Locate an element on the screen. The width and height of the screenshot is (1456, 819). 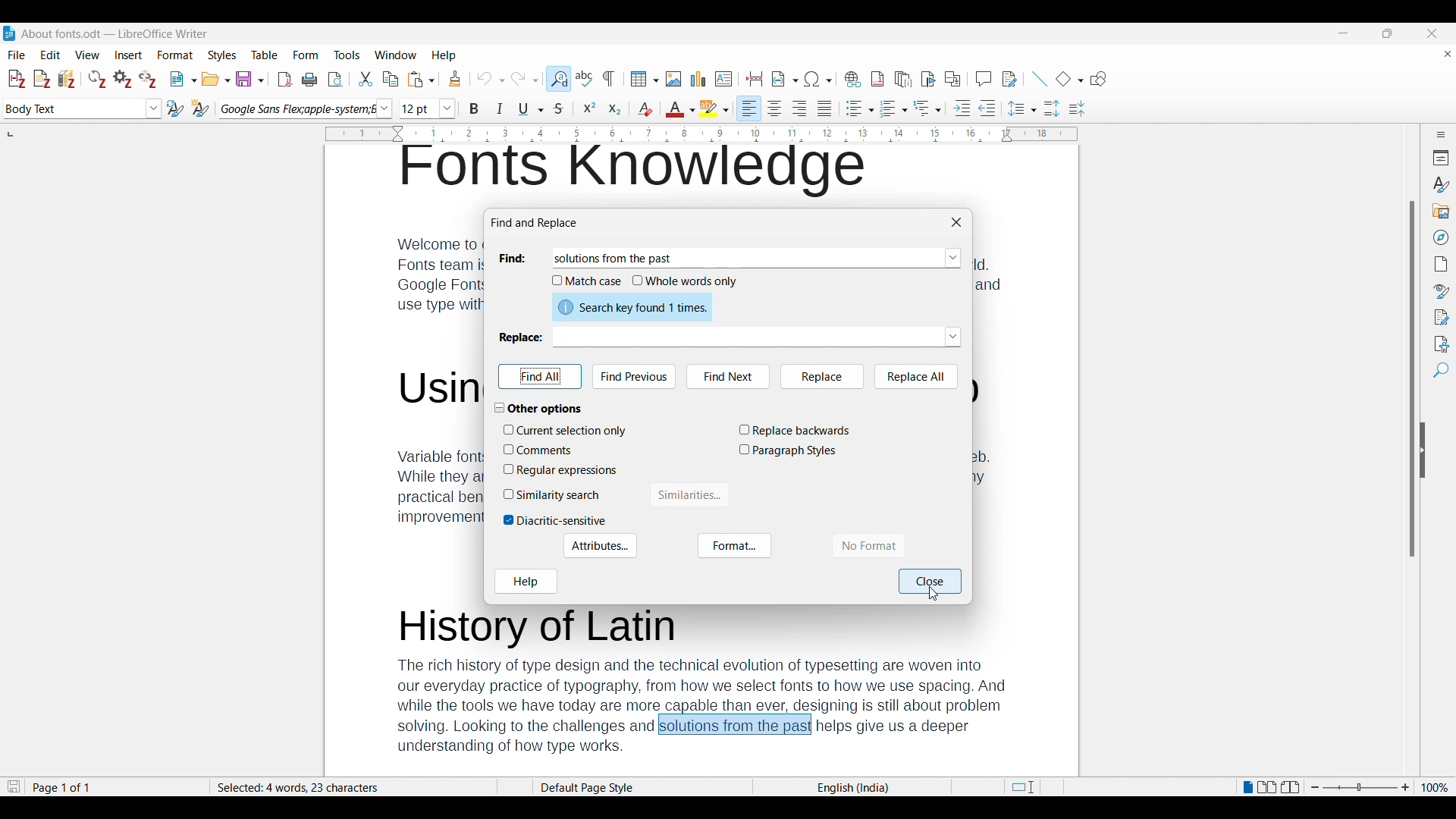
Find Next is located at coordinates (727, 377).